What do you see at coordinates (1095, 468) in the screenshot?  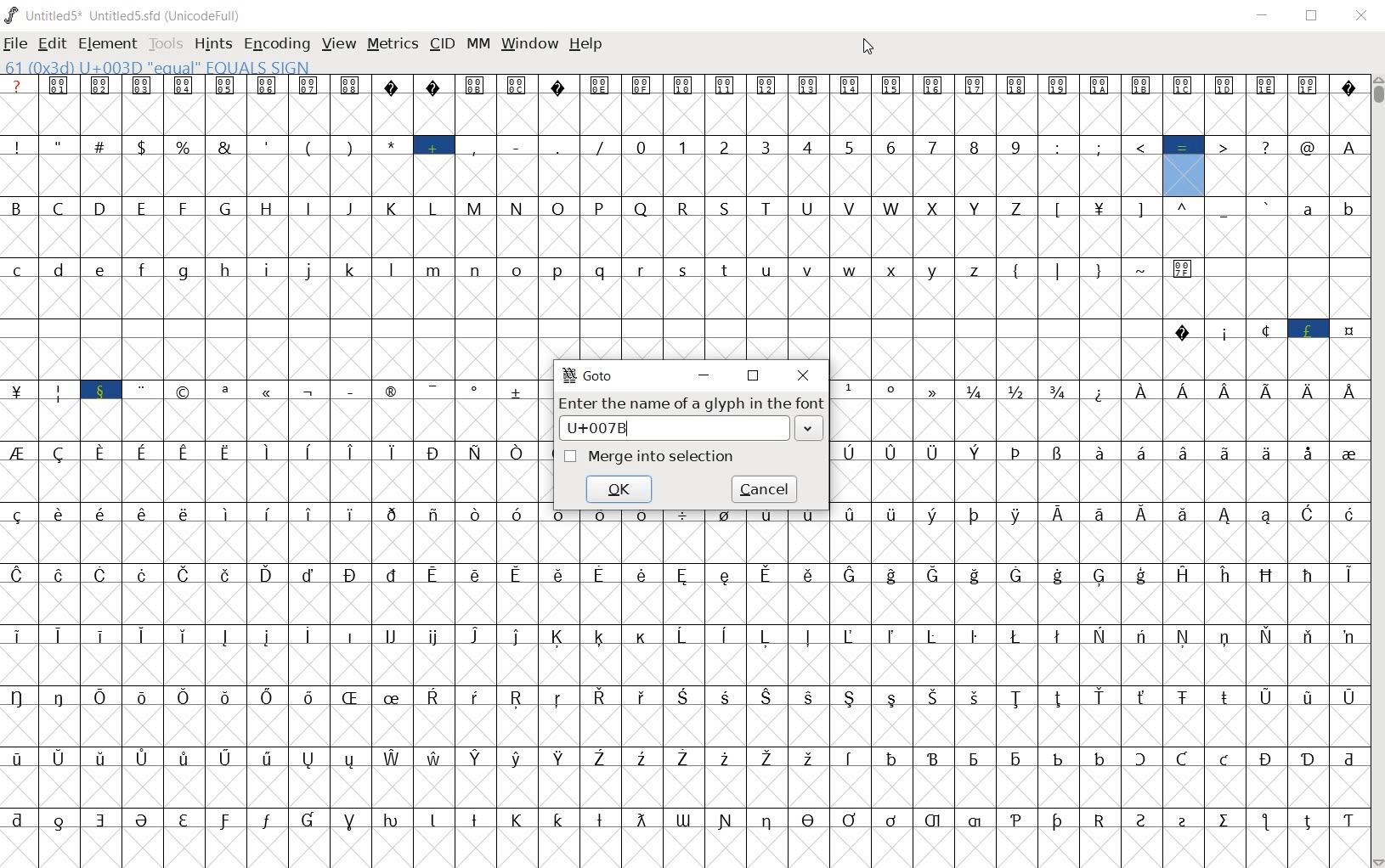 I see `glyph characters` at bounding box center [1095, 468].